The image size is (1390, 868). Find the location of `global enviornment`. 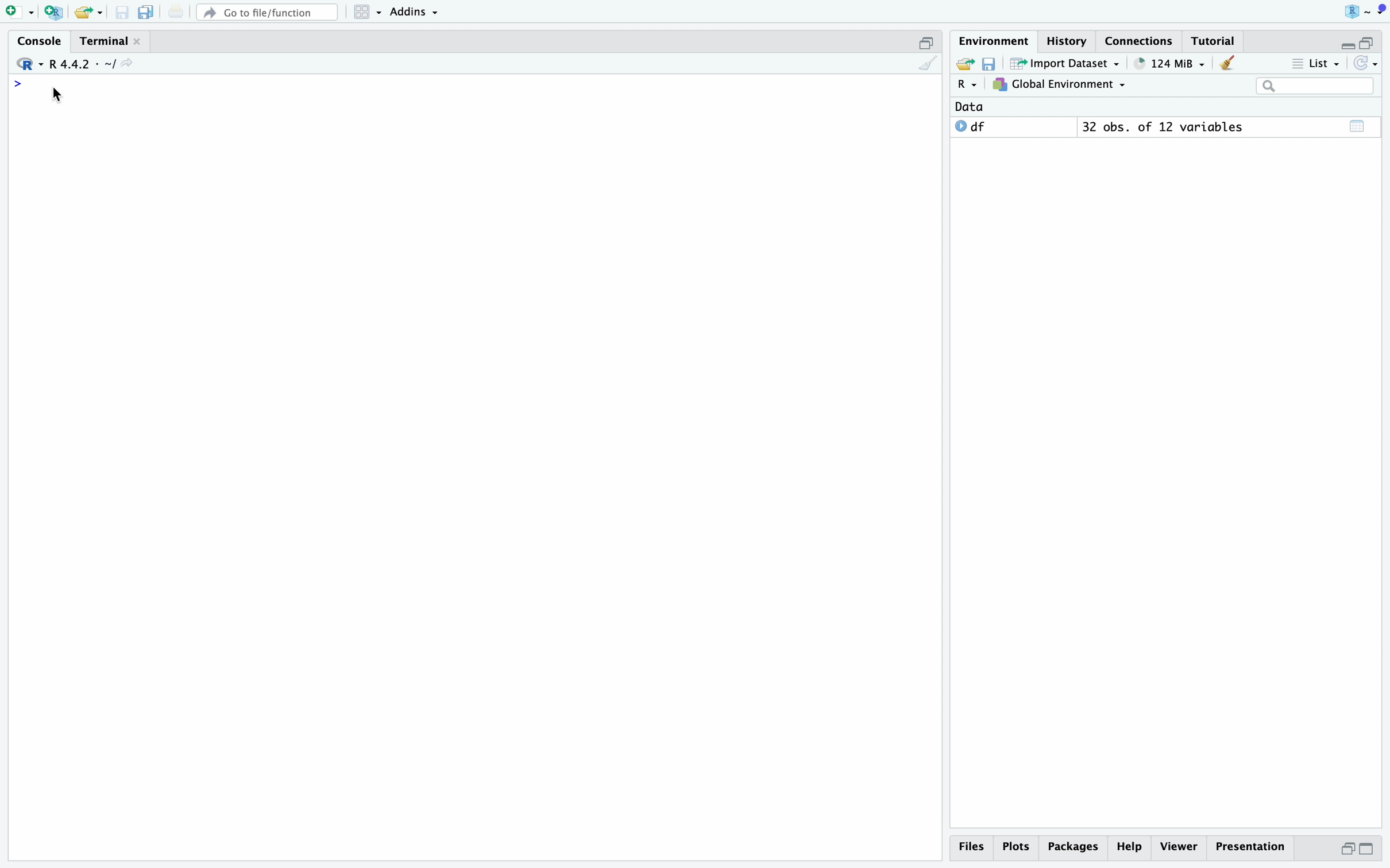

global enviornment is located at coordinates (1059, 84).